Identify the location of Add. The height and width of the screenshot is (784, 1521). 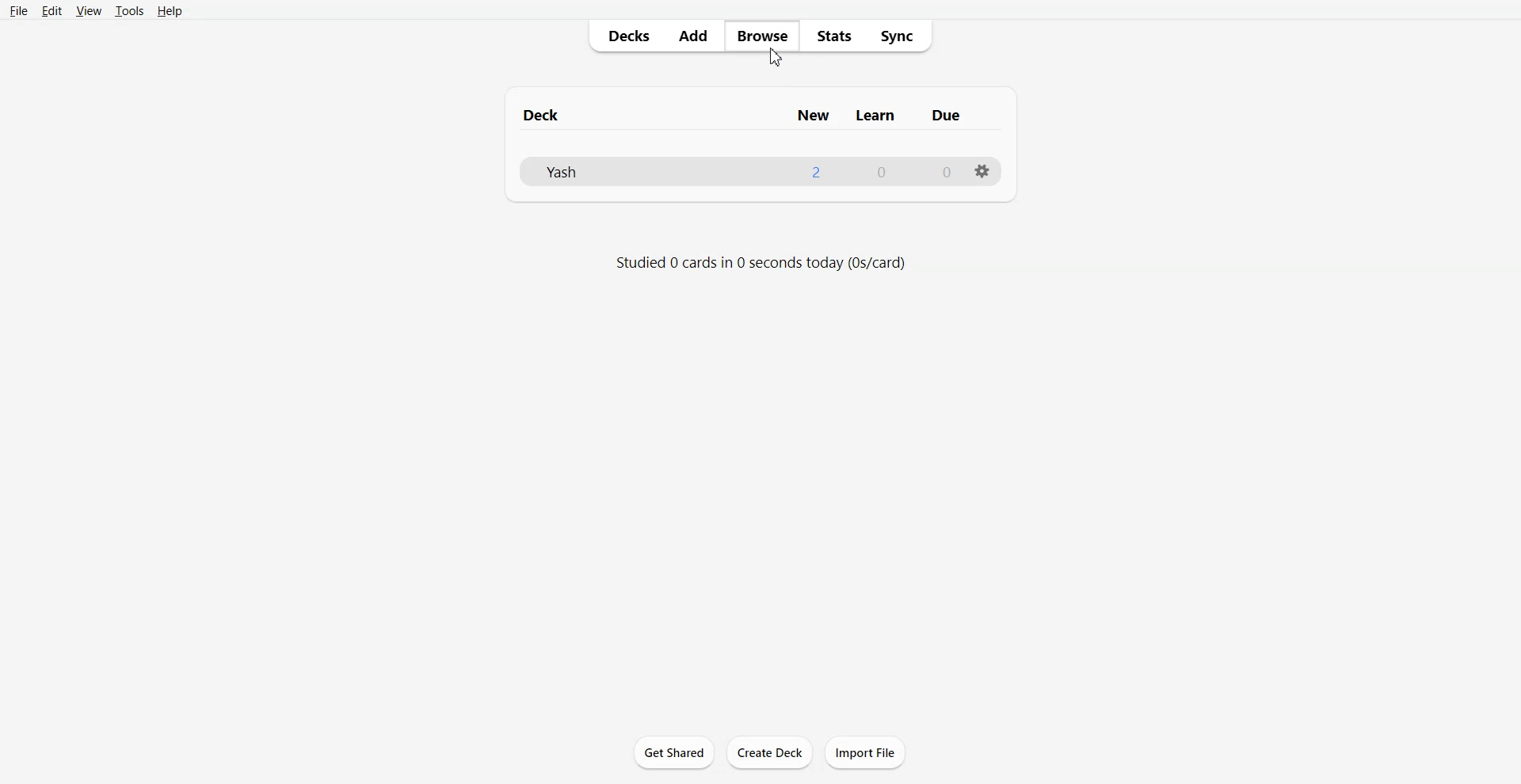
(693, 36).